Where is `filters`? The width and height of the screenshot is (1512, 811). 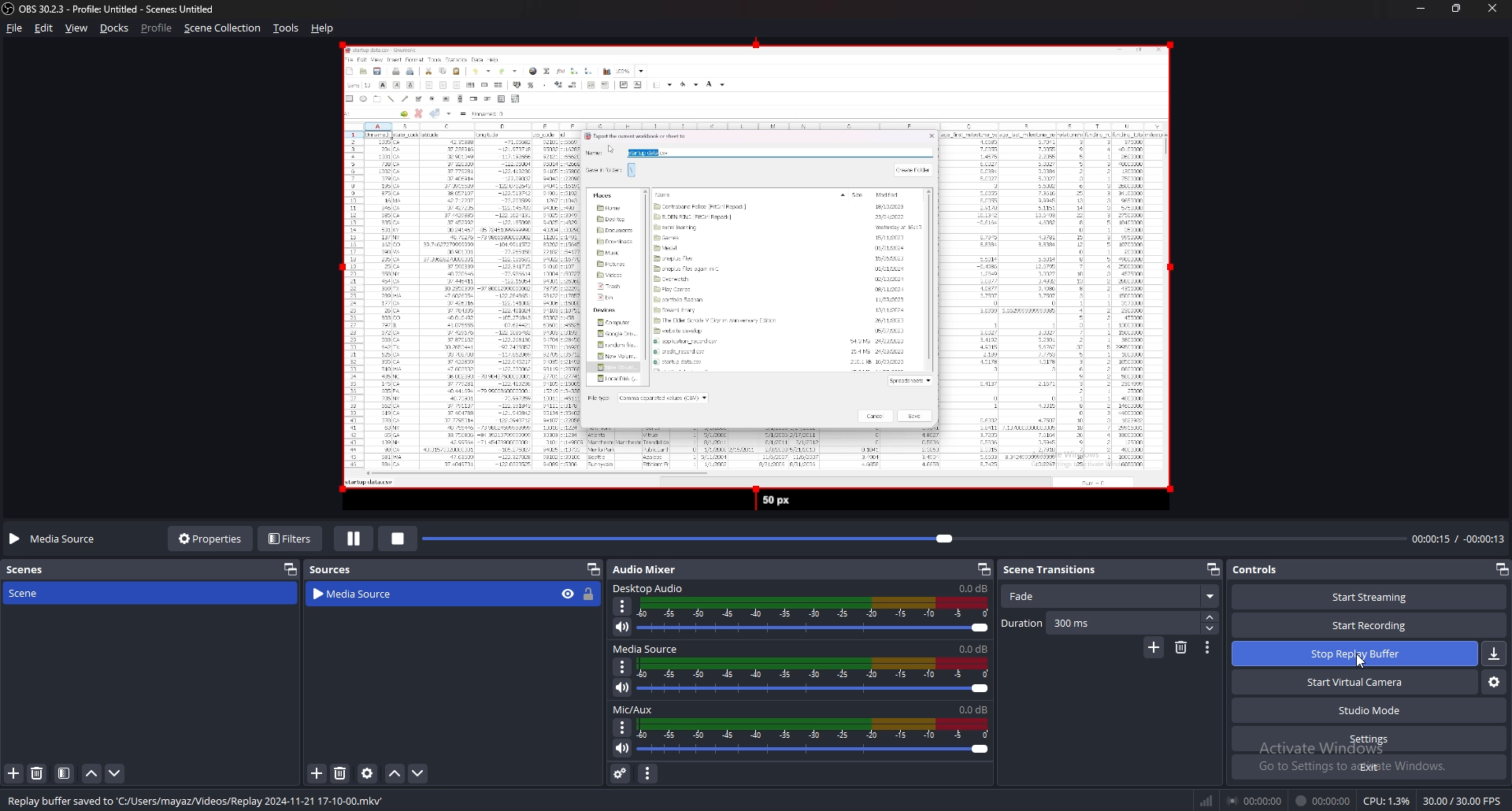
filters is located at coordinates (291, 539).